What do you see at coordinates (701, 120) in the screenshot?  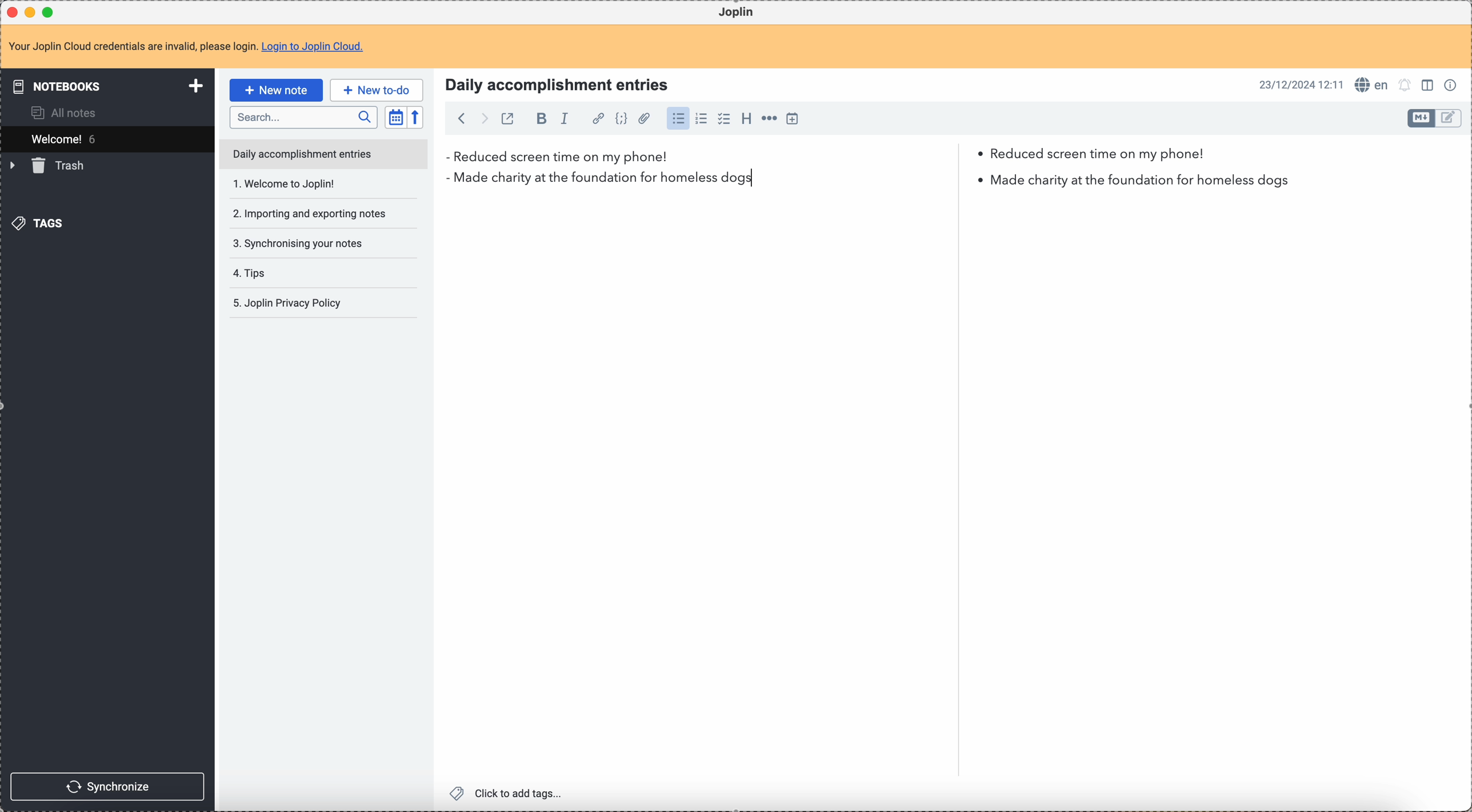 I see `numbered list` at bounding box center [701, 120].